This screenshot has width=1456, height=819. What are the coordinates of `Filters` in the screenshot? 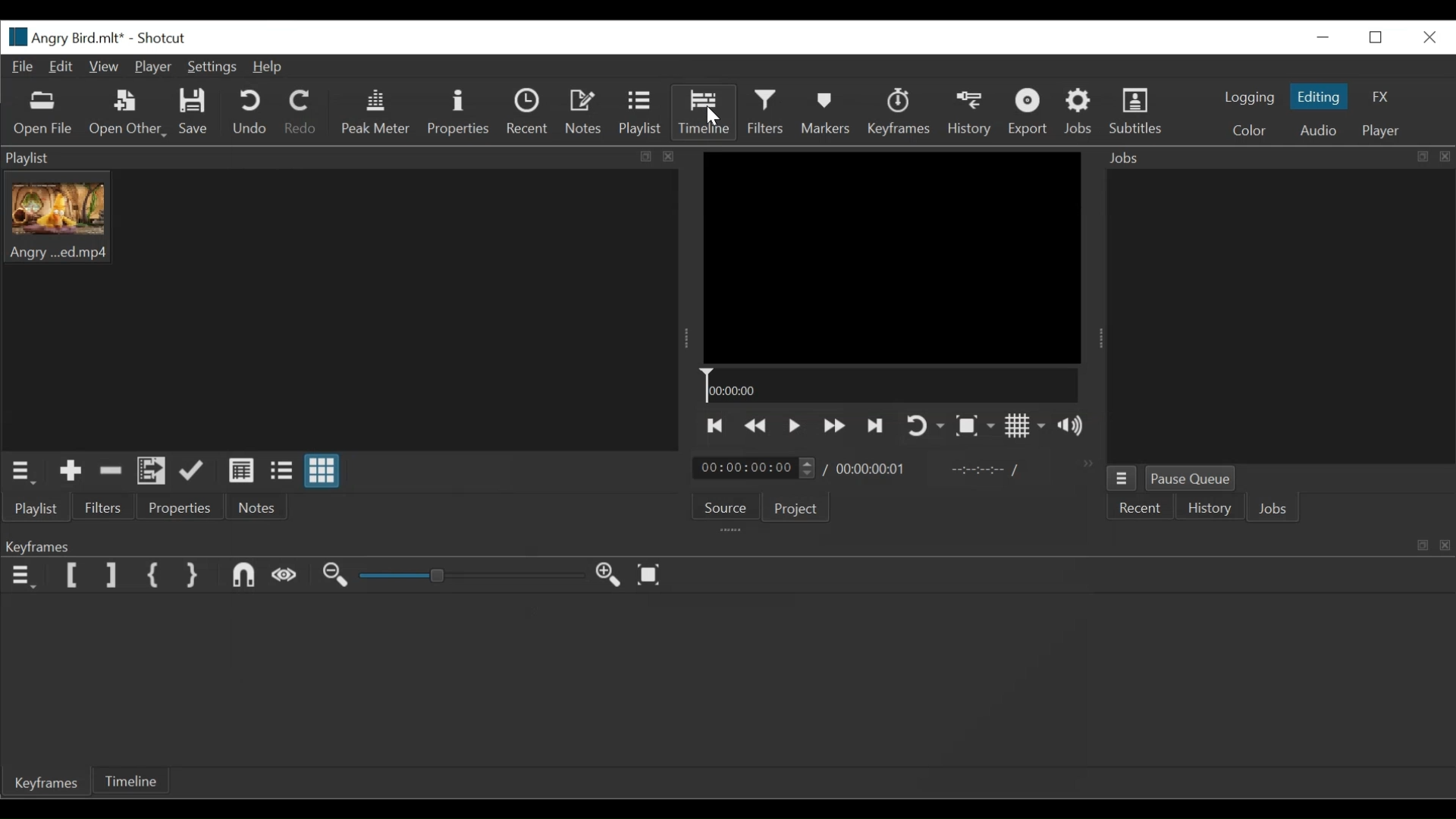 It's located at (767, 112).